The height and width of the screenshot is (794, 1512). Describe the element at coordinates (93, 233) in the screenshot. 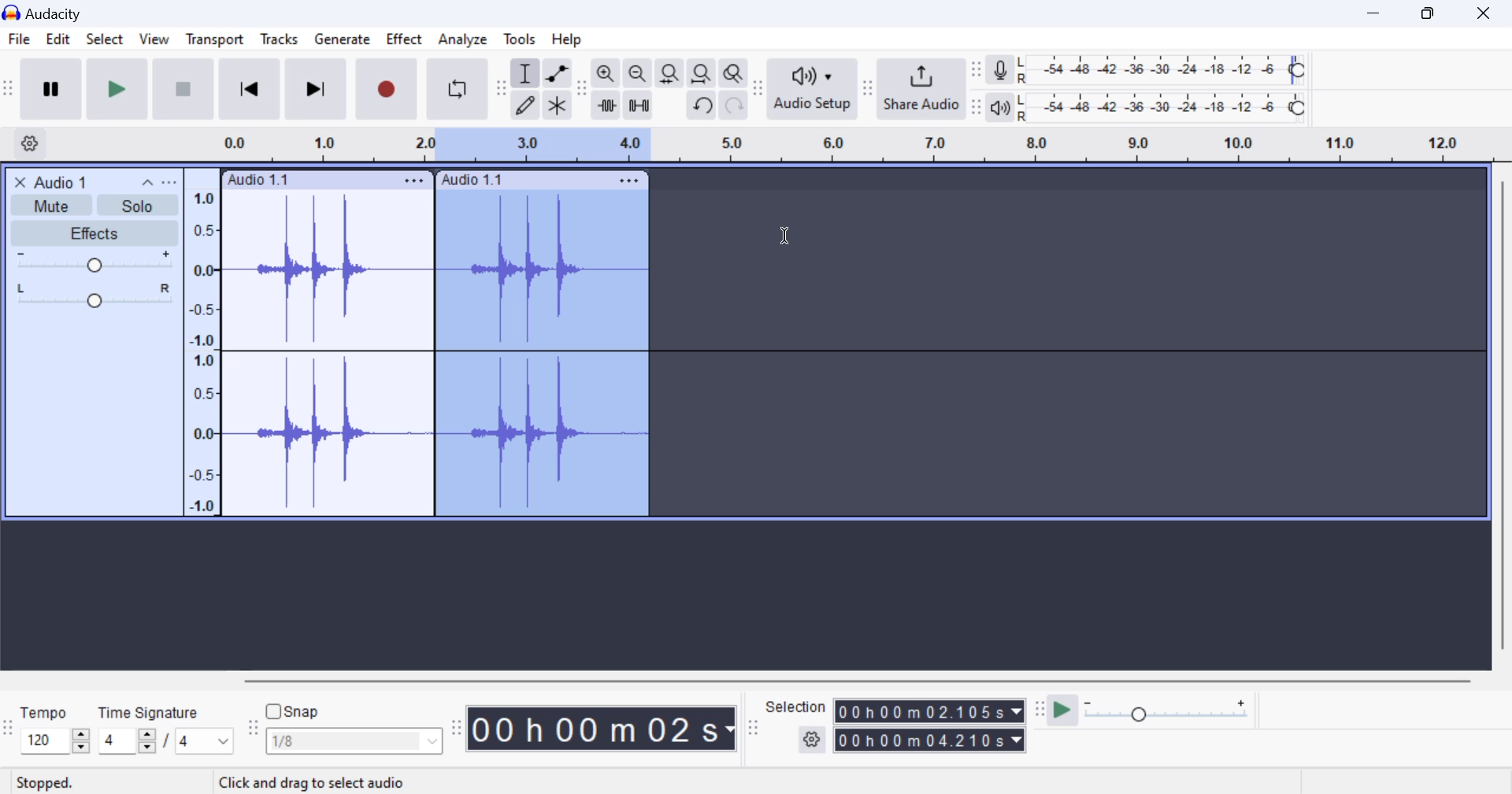

I see `Effects` at that location.